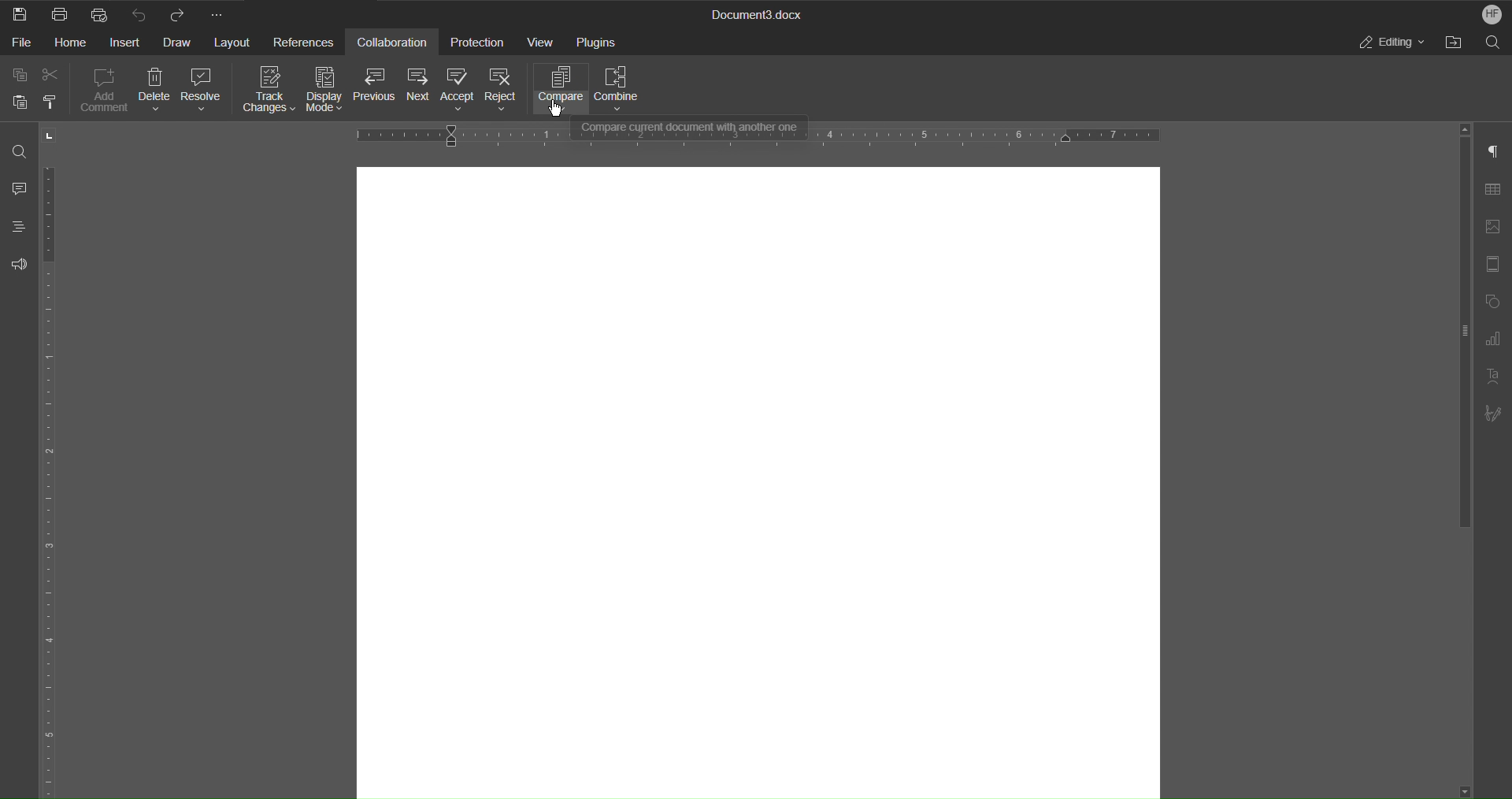 The height and width of the screenshot is (799, 1512). I want to click on Copy Style, so click(56, 101).